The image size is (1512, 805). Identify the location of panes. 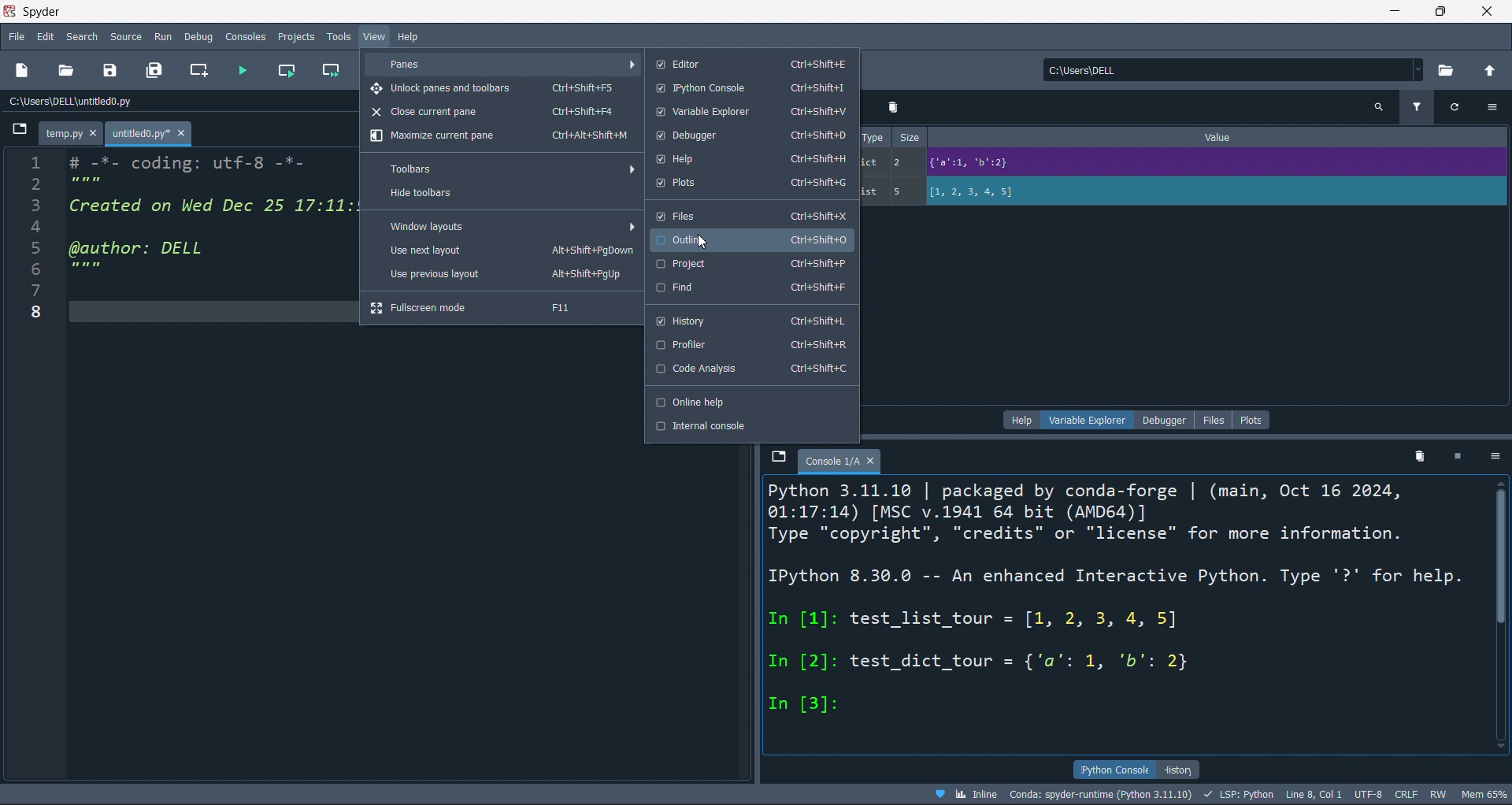
(503, 65).